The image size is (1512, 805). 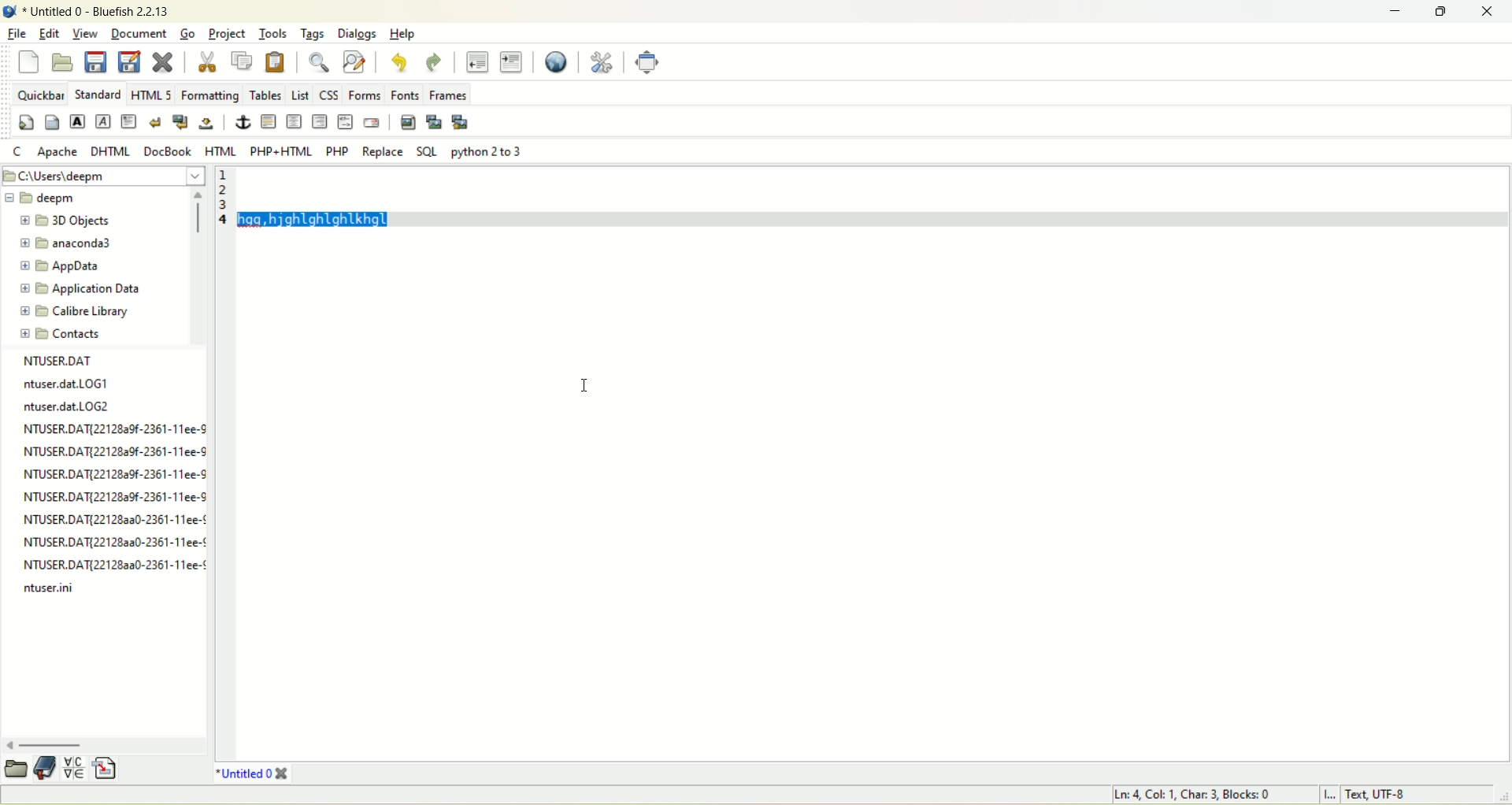 What do you see at coordinates (264, 95) in the screenshot?
I see `table` at bounding box center [264, 95].